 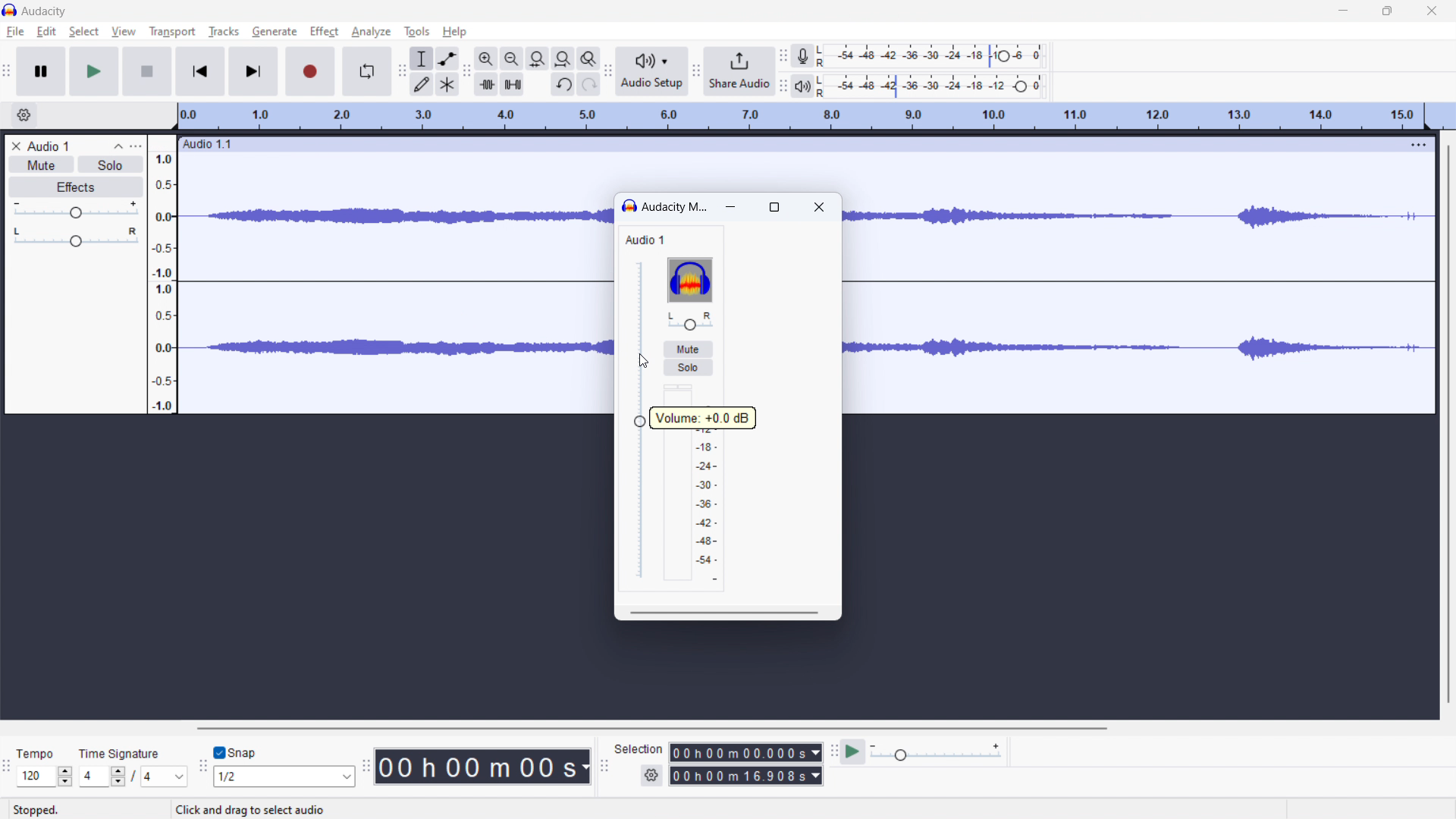 I want to click on multi tool, so click(x=447, y=84).